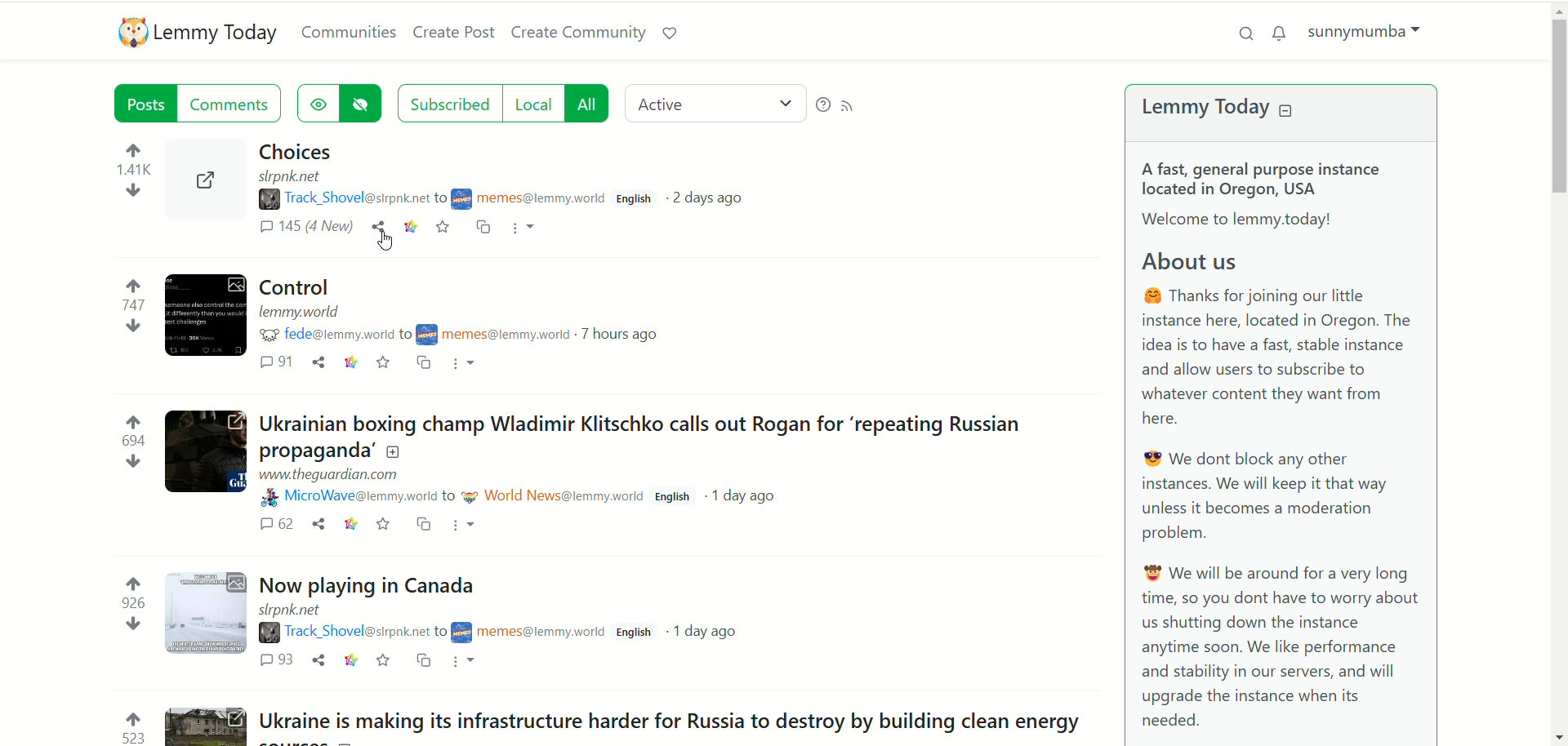 Image resolution: width=1568 pixels, height=746 pixels. Describe the element at coordinates (330, 335) in the screenshot. I see `username` at that location.